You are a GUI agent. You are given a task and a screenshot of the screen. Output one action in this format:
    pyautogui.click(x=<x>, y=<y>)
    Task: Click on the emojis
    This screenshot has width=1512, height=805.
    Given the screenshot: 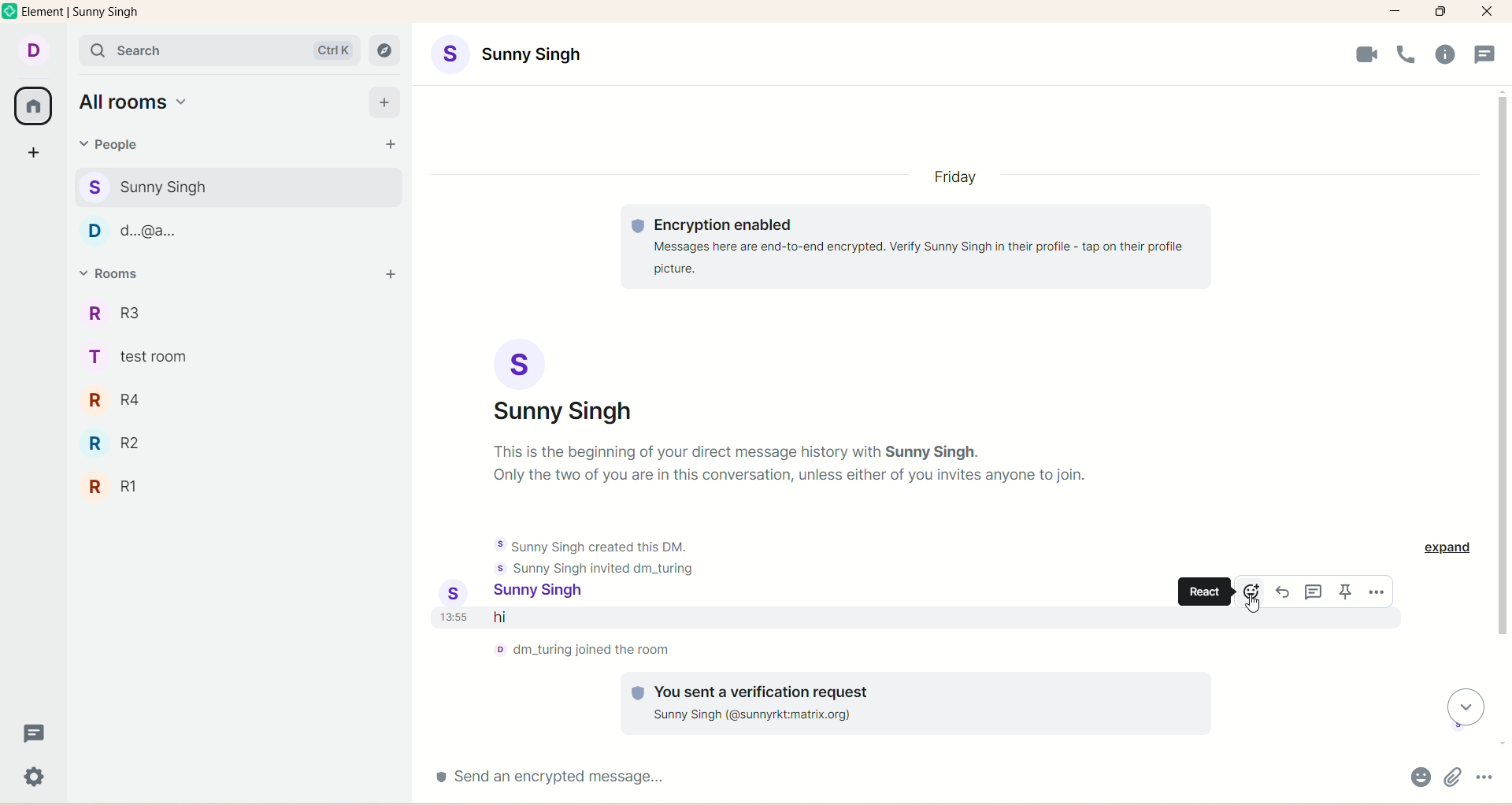 What is the action you would take?
    pyautogui.click(x=1251, y=592)
    